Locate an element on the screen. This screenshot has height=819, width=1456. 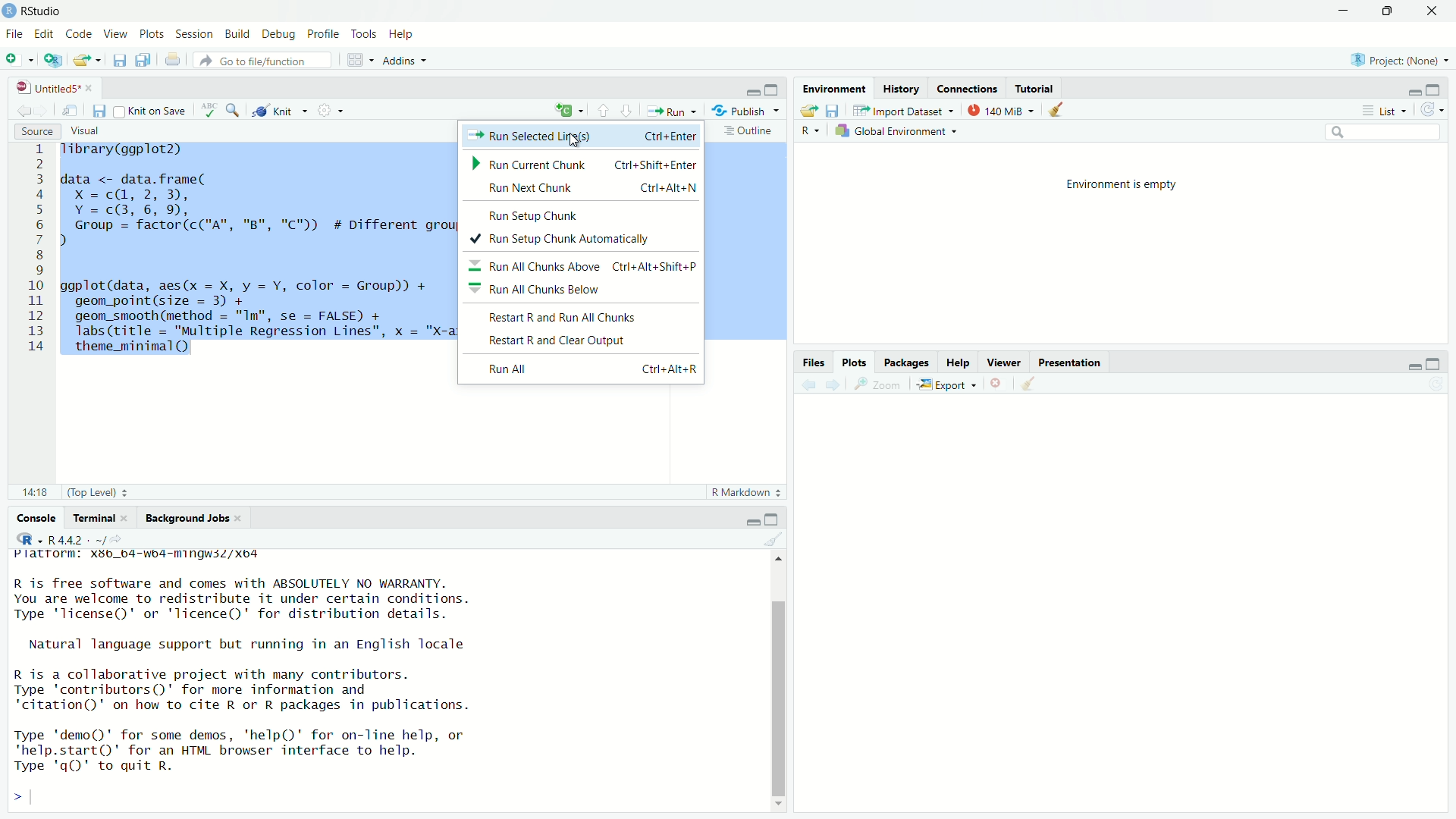
Build is located at coordinates (237, 34).